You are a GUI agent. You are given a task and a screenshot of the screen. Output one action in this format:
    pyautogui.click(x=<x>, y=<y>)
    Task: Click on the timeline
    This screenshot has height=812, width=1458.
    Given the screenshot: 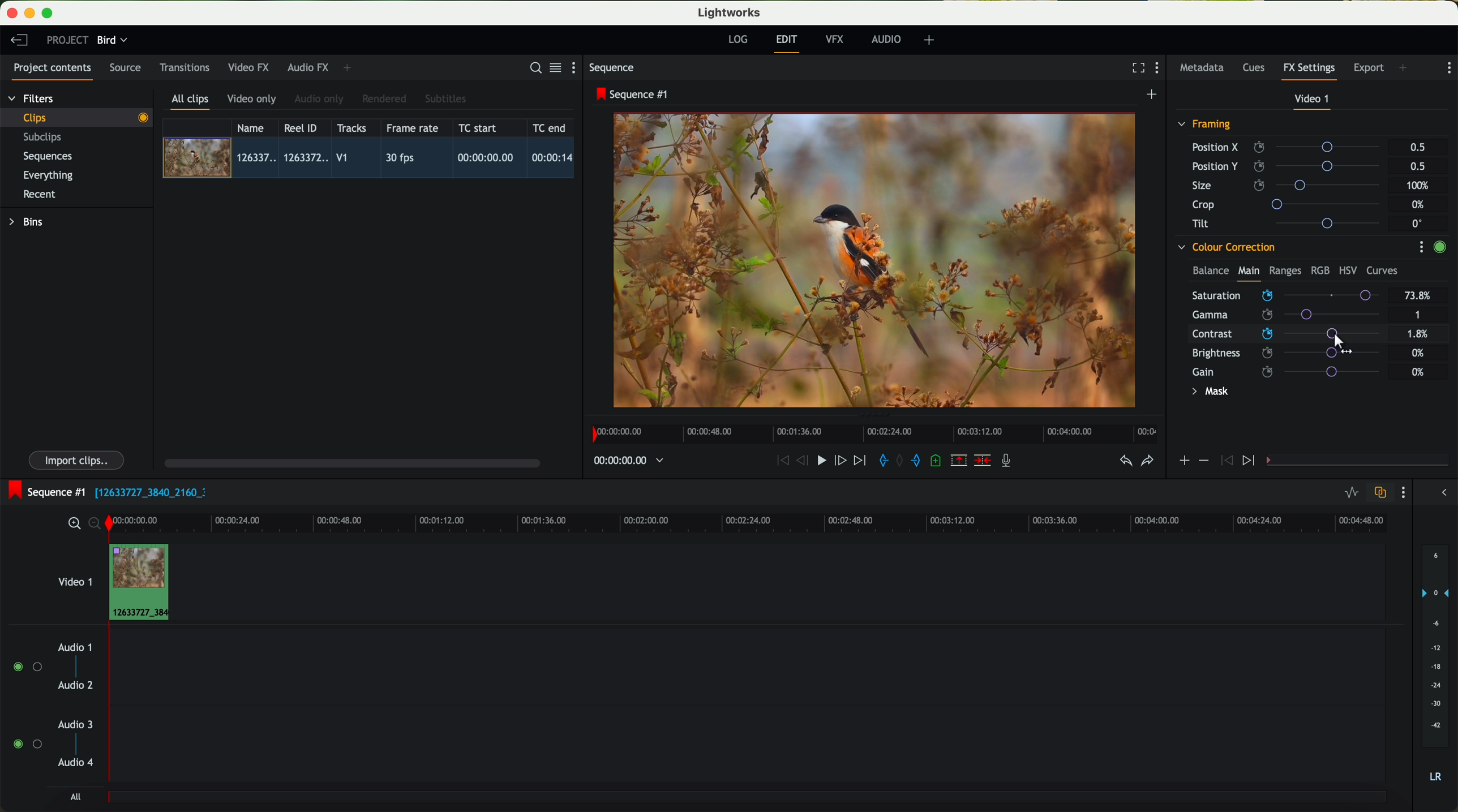 What is the action you would take?
    pyautogui.click(x=623, y=461)
    